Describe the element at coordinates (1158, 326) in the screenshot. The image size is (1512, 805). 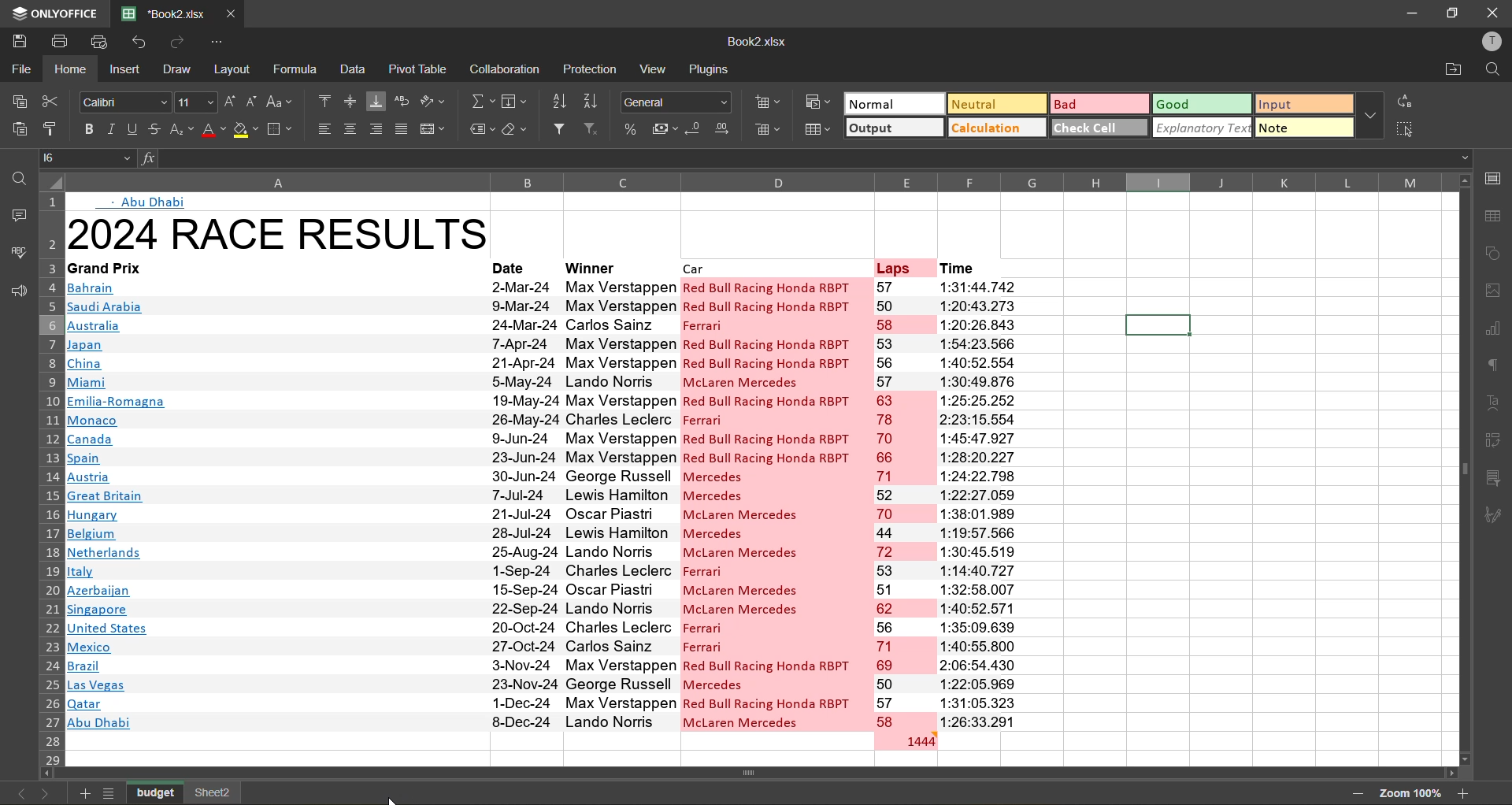
I see `selected cell` at that location.